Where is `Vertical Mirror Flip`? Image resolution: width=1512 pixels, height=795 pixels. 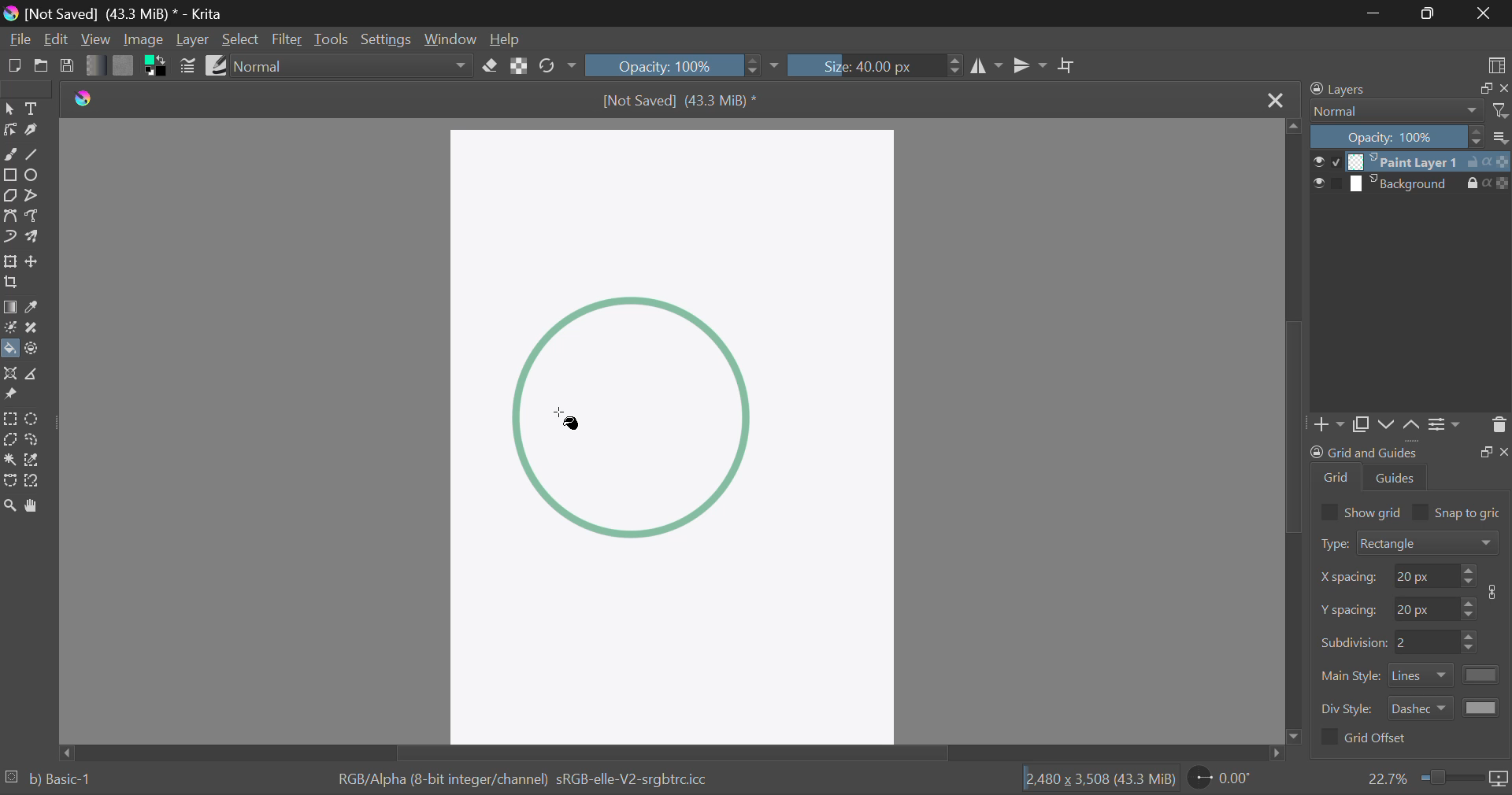
Vertical Mirror Flip is located at coordinates (988, 66).